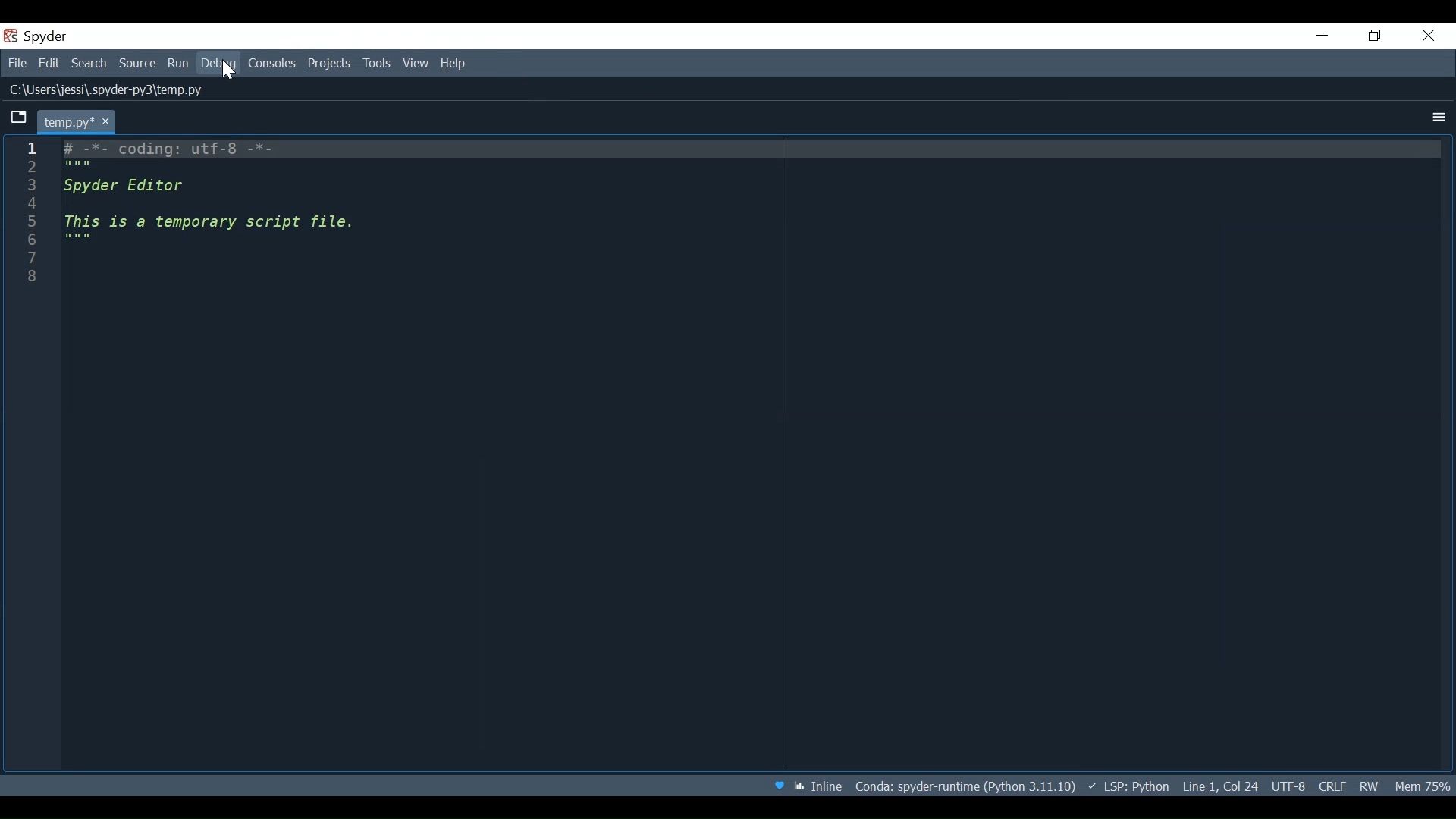 Image resolution: width=1456 pixels, height=819 pixels. Describe the element at coordinates (821, 783) in the screenshot. I see `Toggle between inline and interactive Matplotlib plotting` at that location.